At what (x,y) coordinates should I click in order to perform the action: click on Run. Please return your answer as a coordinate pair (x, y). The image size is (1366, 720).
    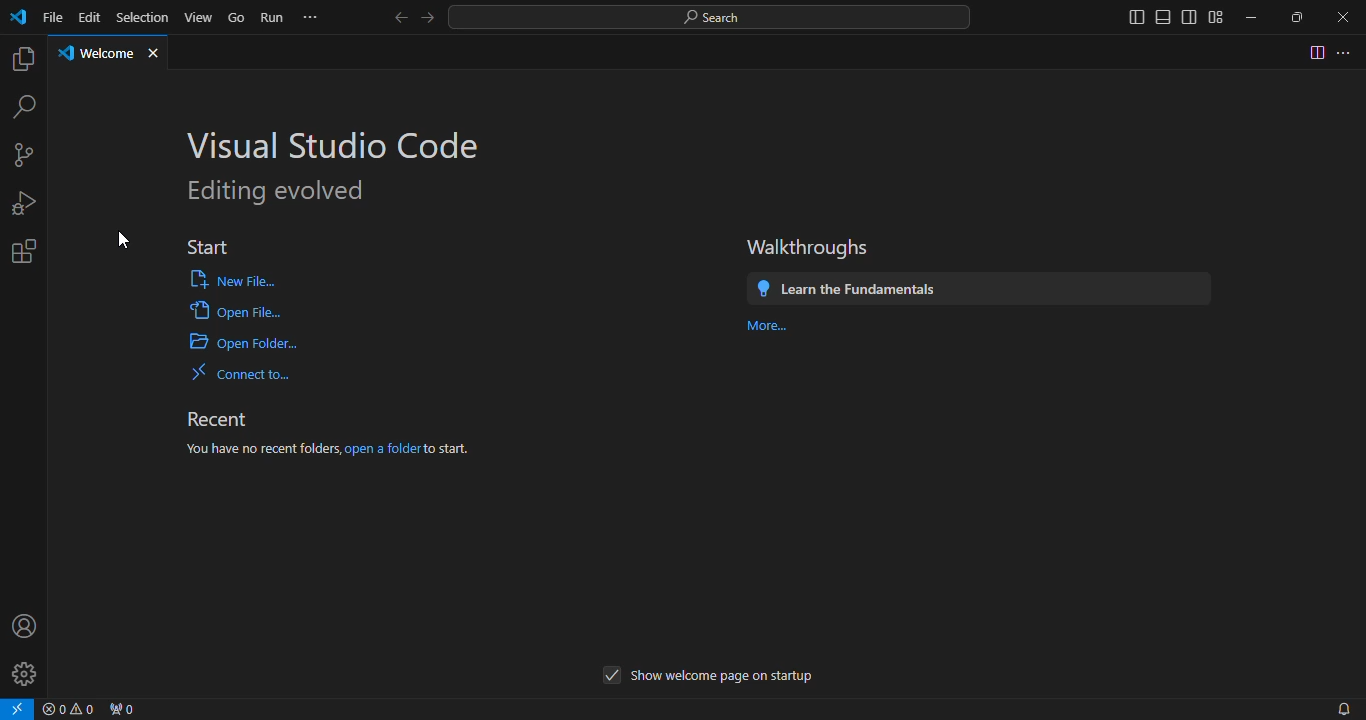
    Looking at the image, I should click on (271, 16).